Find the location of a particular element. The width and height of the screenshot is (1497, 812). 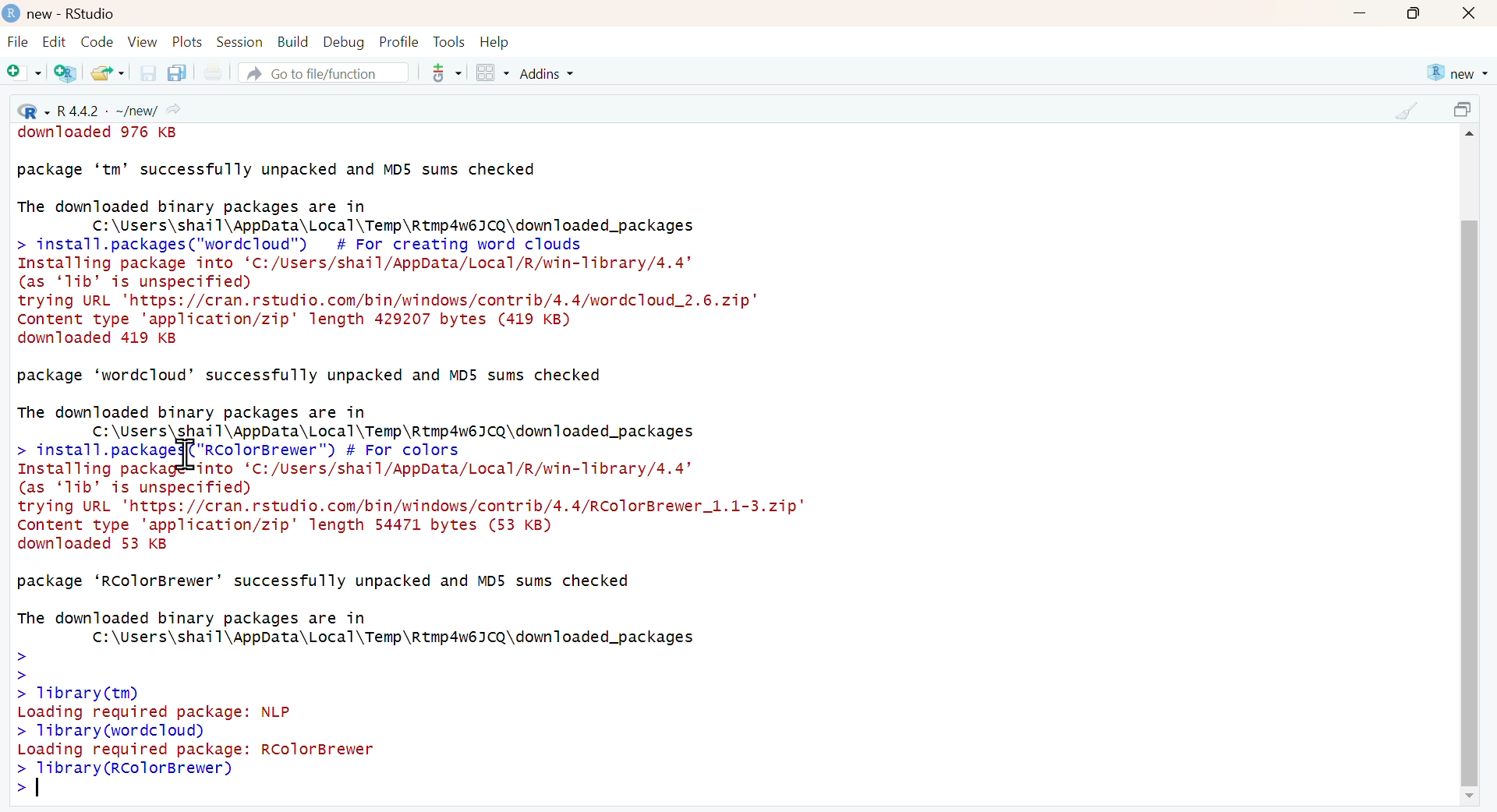

Print is located at coordinates (217, 72).